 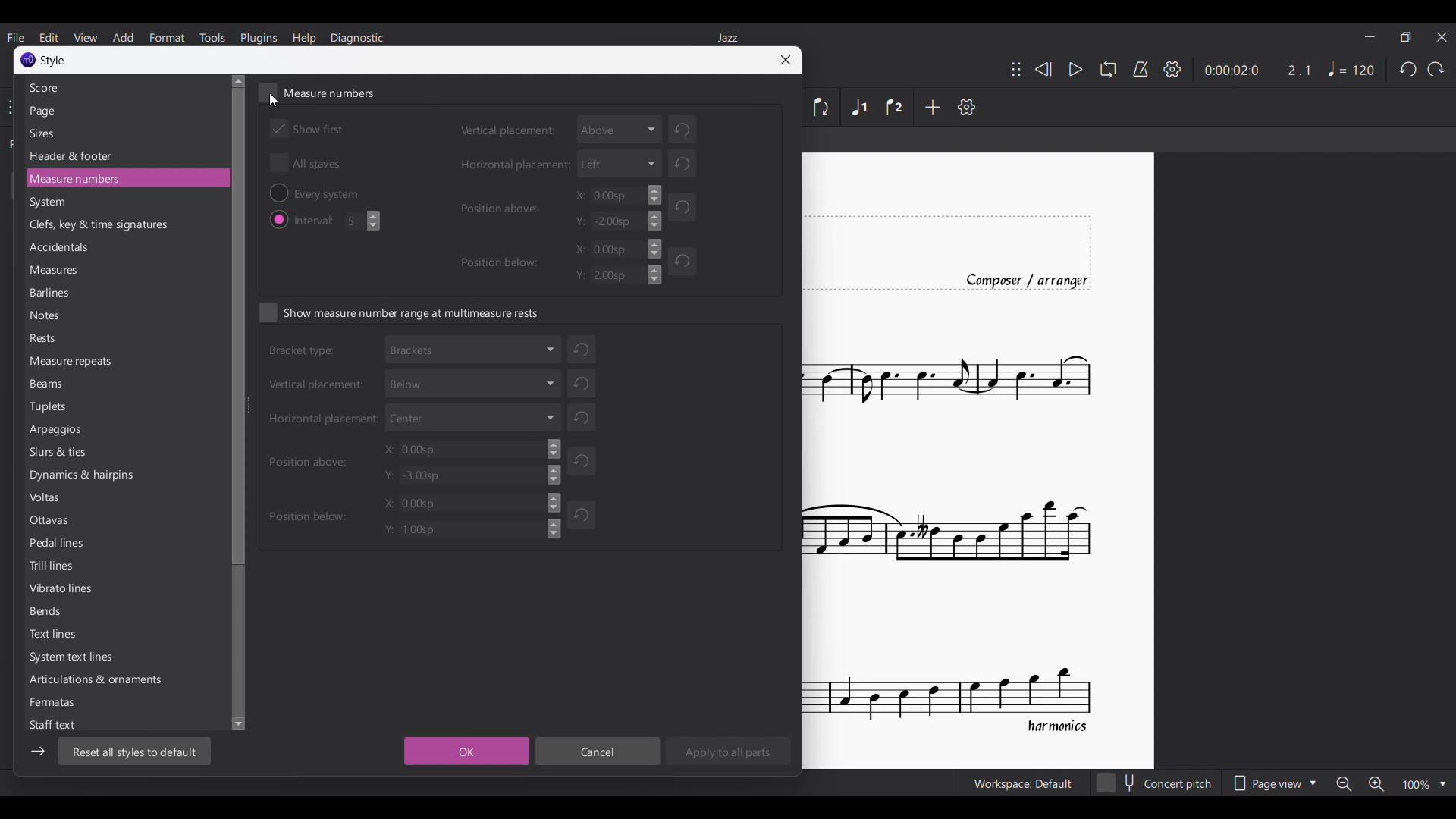 I want to click on Concert pitch toggle, so click(x=1156, y=783).